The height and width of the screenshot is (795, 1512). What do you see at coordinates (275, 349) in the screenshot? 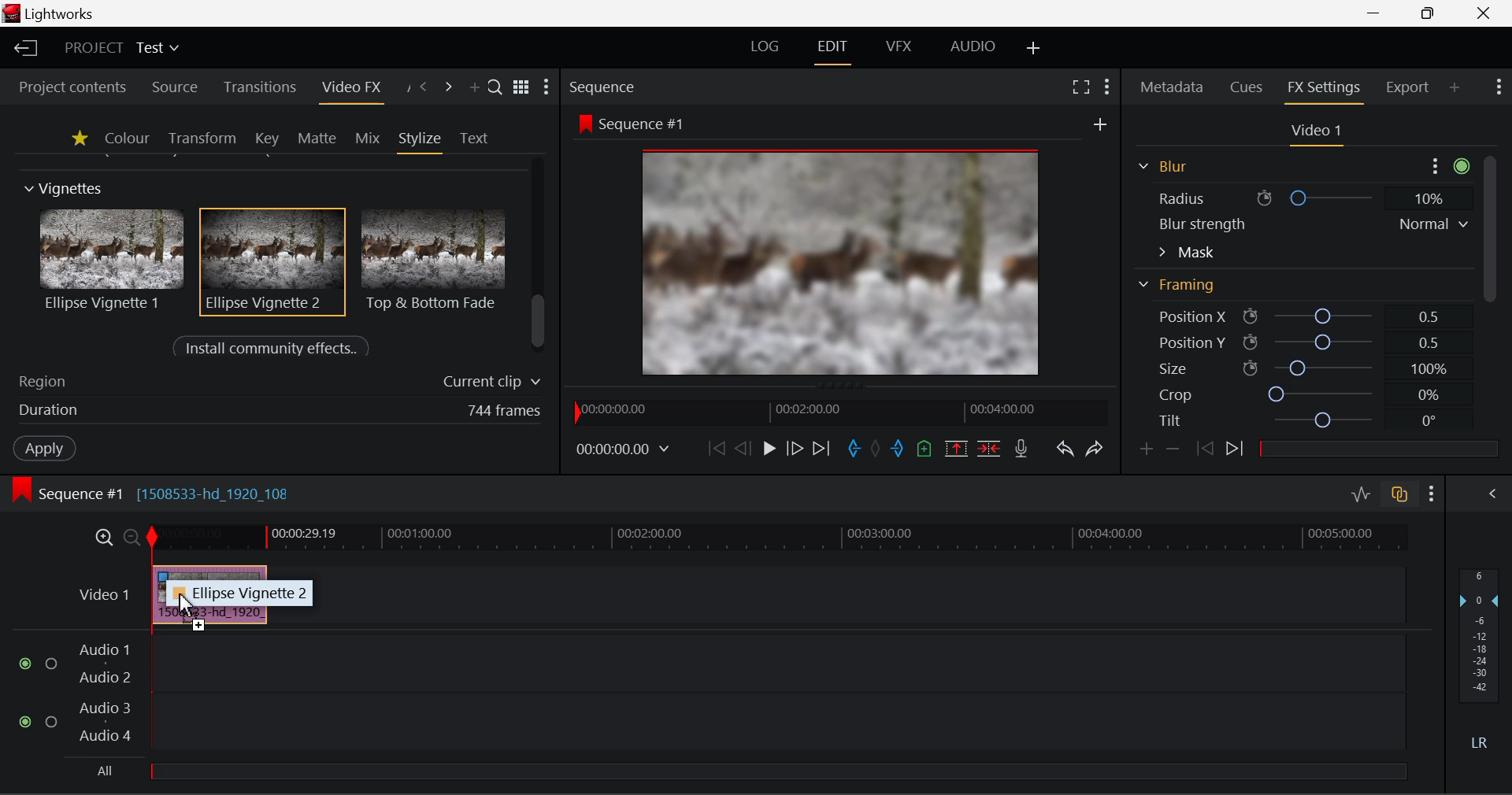
I see `Install community effects` at bounding box center [275, 349].